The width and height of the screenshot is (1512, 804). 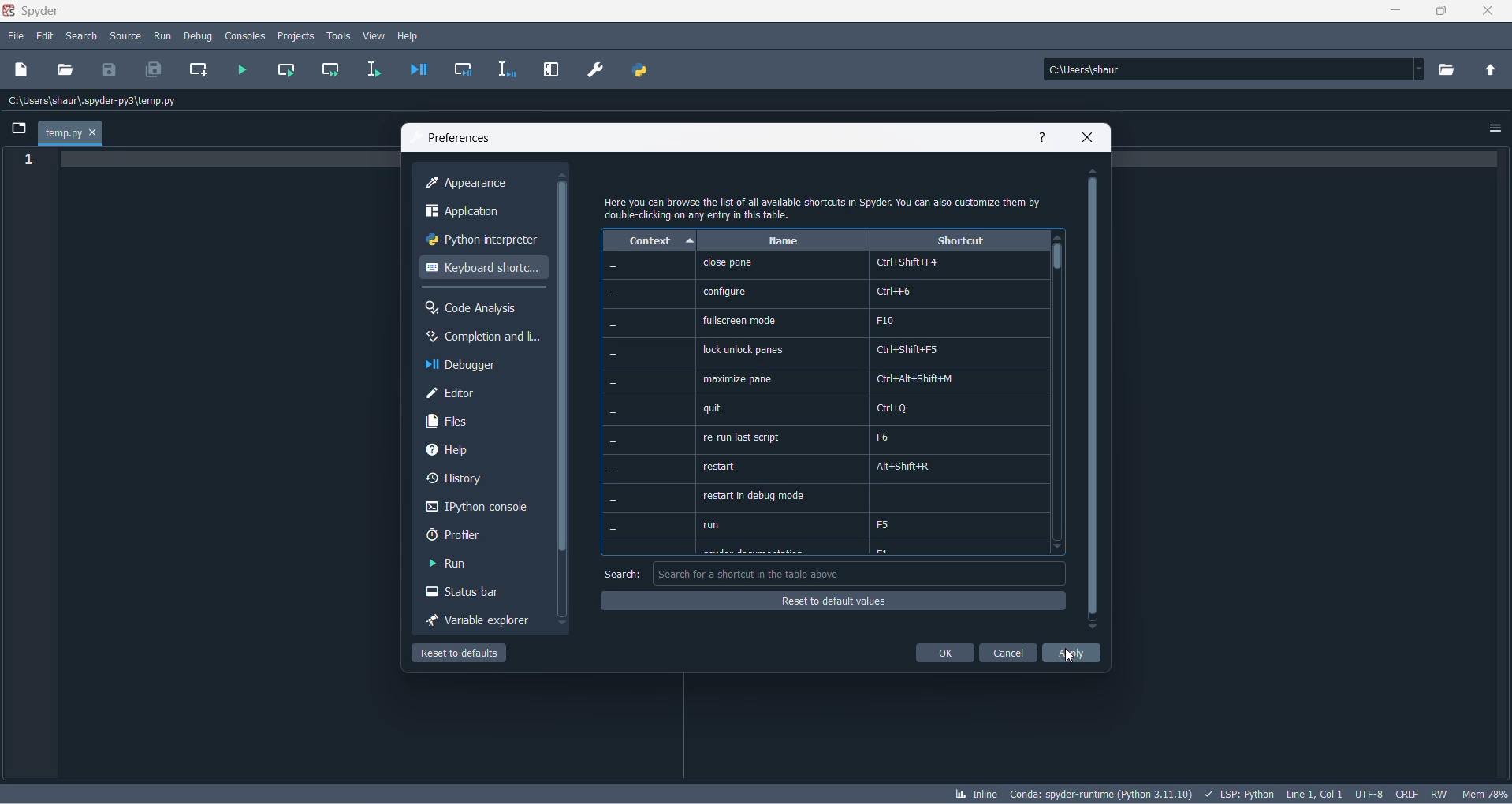 What do you see at coordinates (110, 69) in the screenshot?
I see `save` at bounding box center [110, 69].